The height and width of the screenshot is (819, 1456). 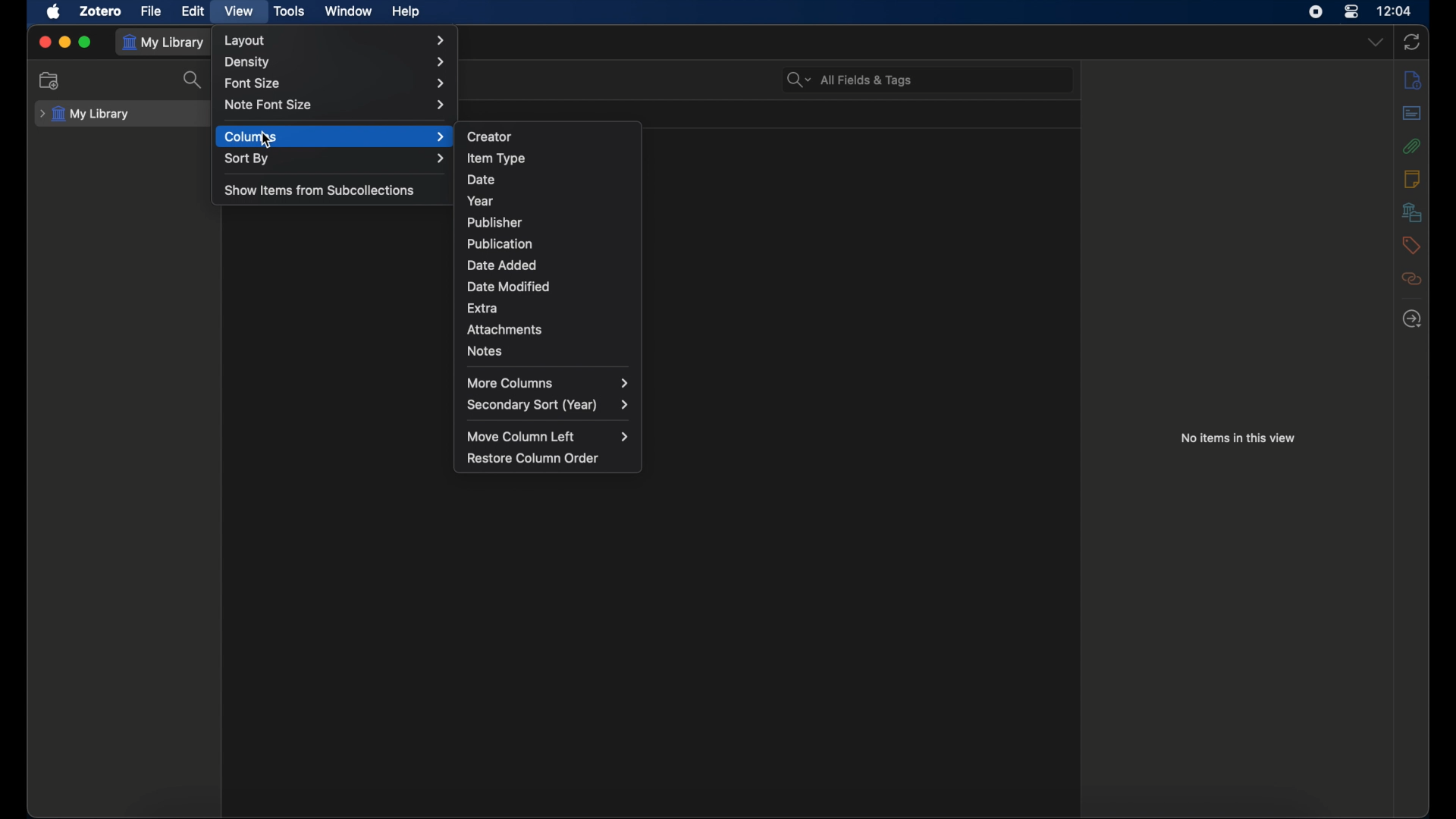 What do you see at coordinates (1412, 80) in the screenshot?
I see `info` at bounding box center [1412, 80].